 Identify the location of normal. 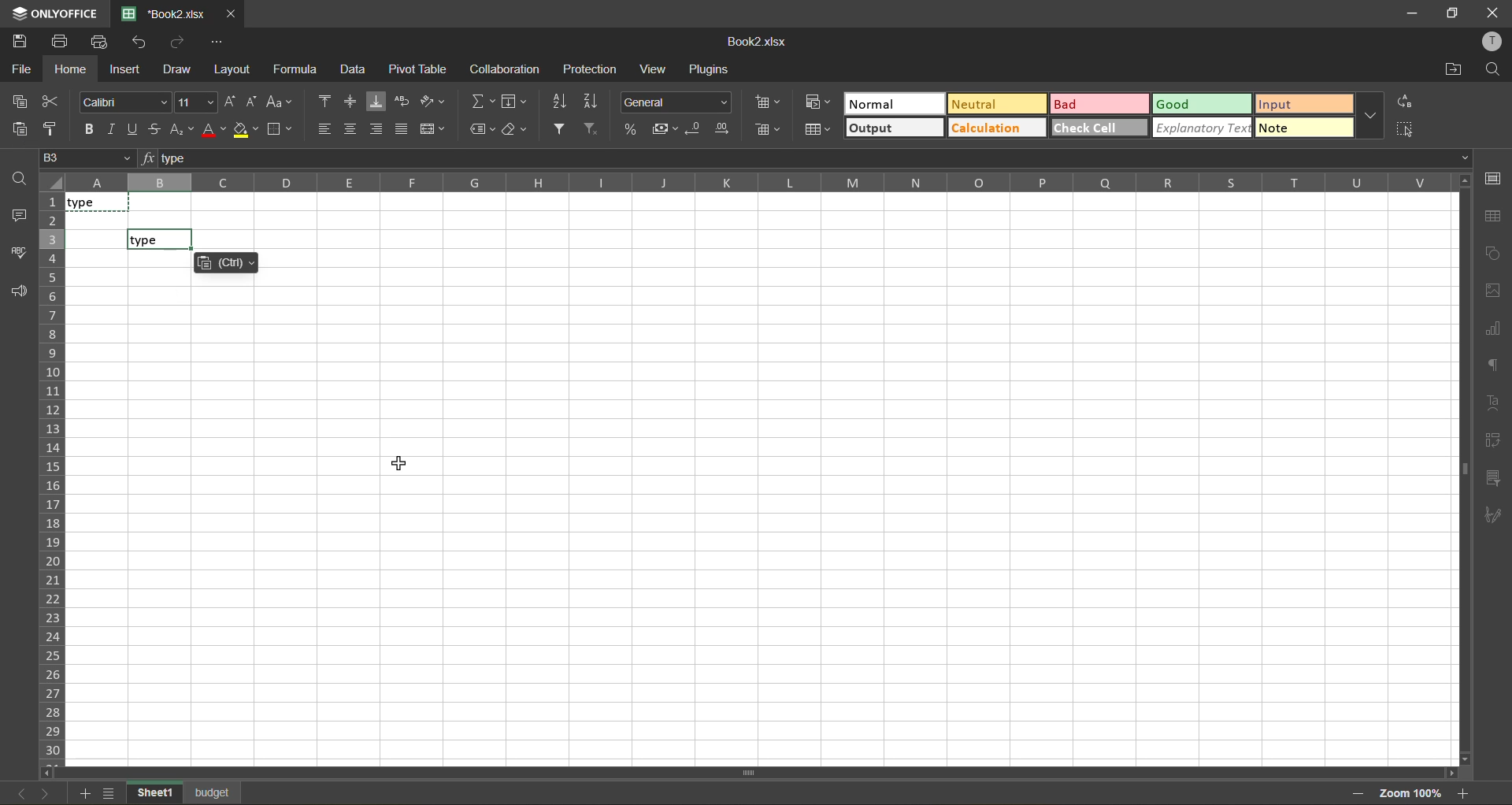
(892, 103).